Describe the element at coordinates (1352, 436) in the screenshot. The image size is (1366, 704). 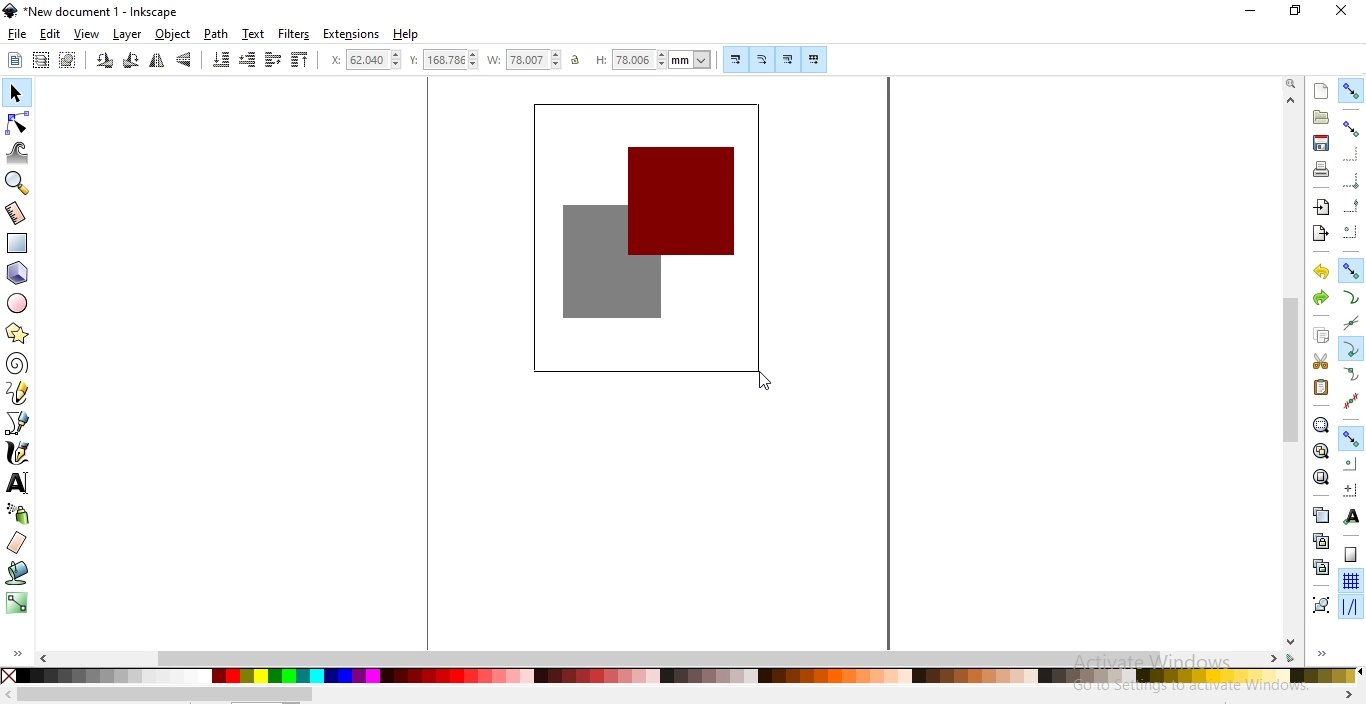
I see `snap other points` at that location.